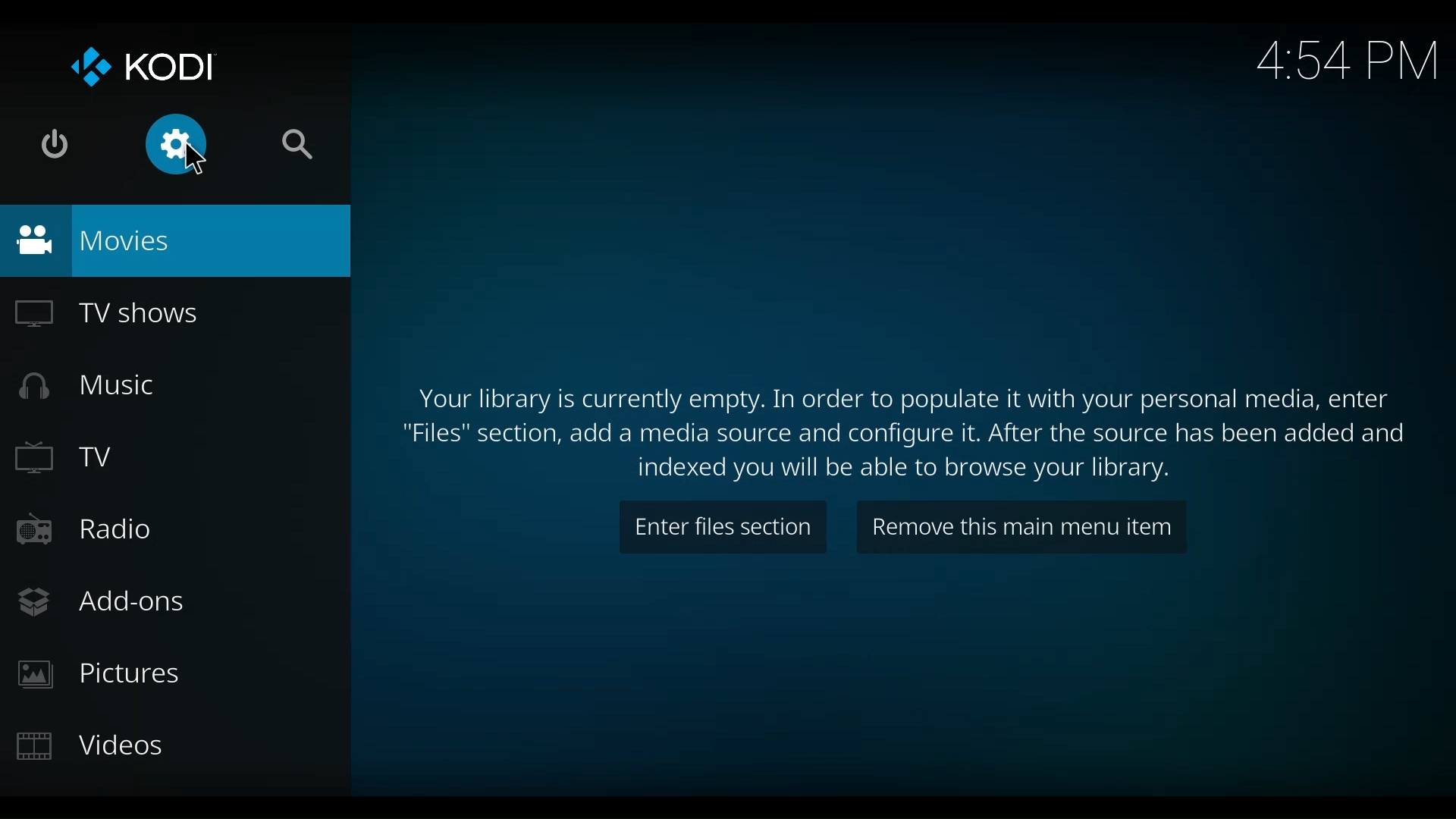 The image size is (1456, 819). Describe the element at coordinates (54, 147) in the screenshot. I see `Power options` at that location.